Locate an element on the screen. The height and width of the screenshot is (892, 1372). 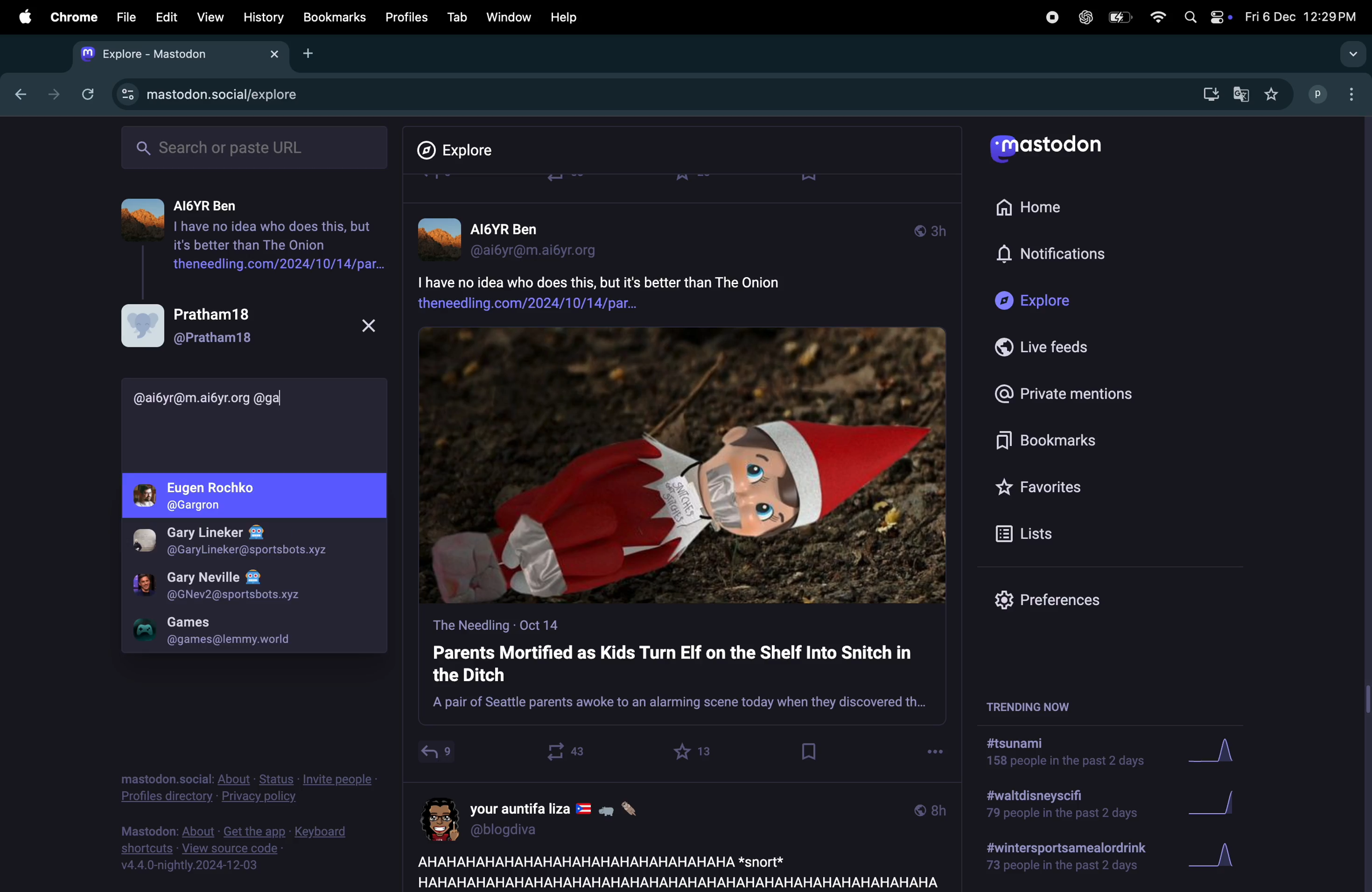
profiles is located at coordinates (402, 17).